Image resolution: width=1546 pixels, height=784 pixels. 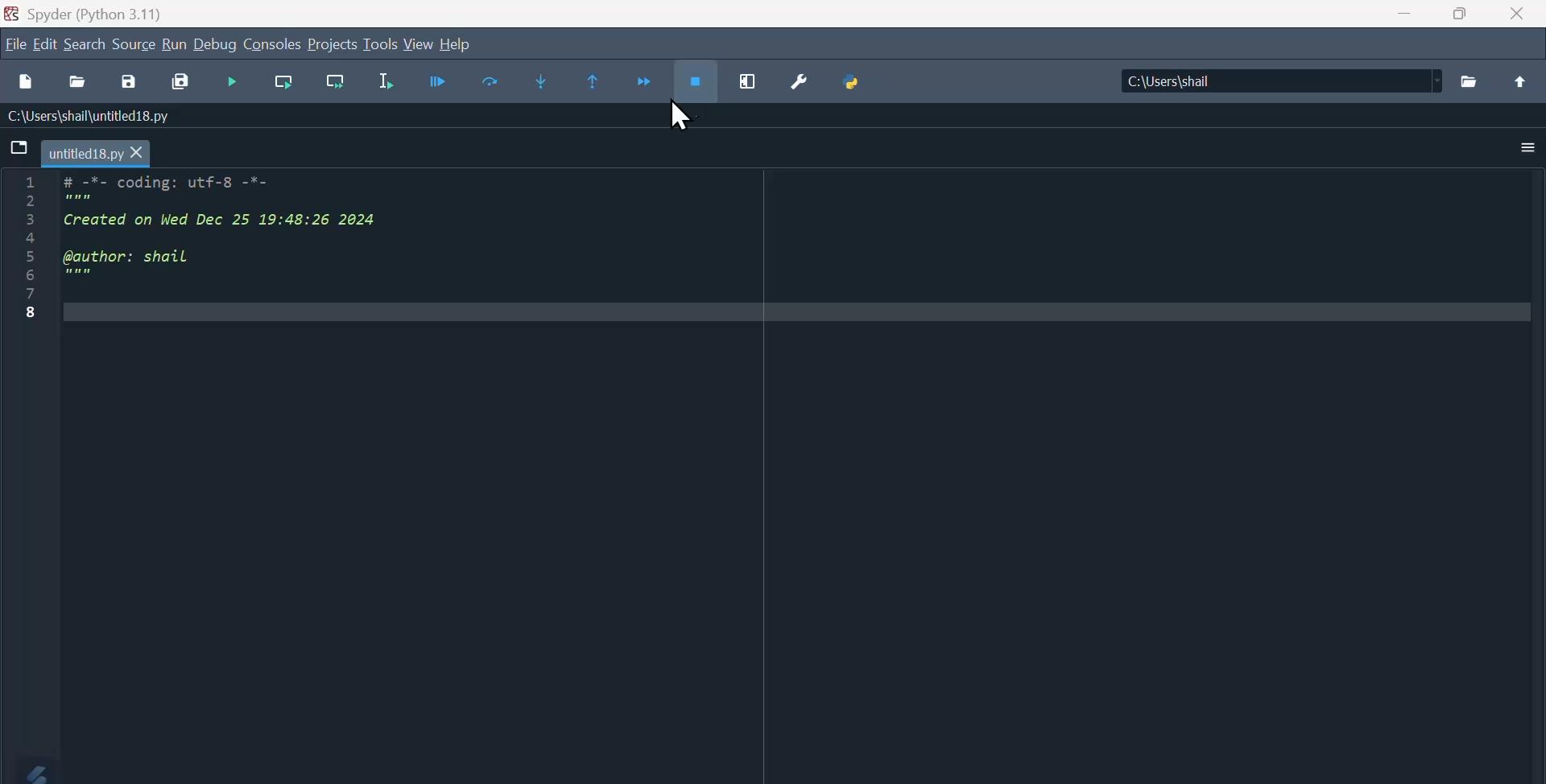 What do you see at coordinates (488, 83) in the screenshot?
I see `Step into current line` at bounding box center [488, 83].